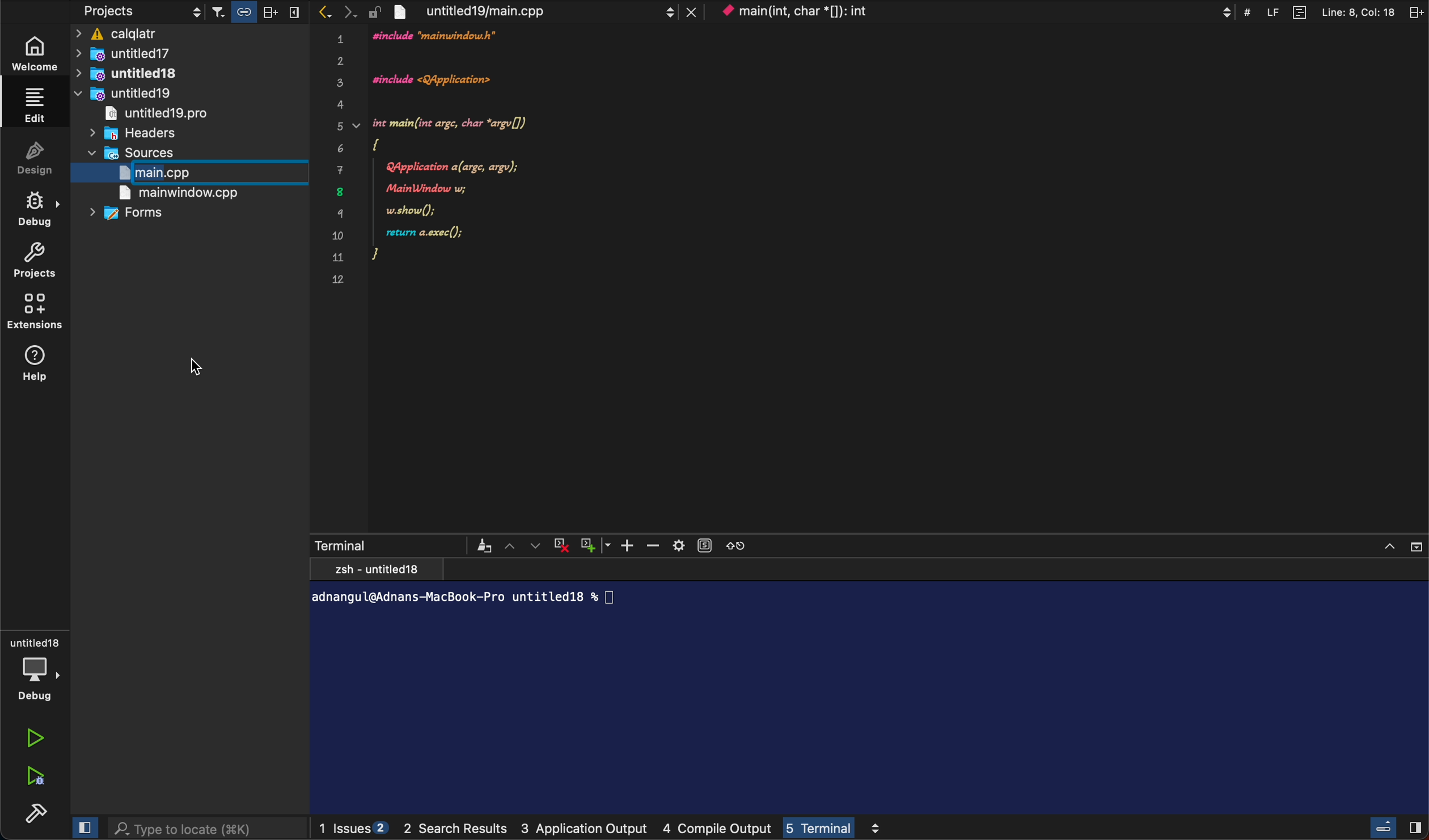 The image size is (1429, 840). I want to click on , so click(259, 12).